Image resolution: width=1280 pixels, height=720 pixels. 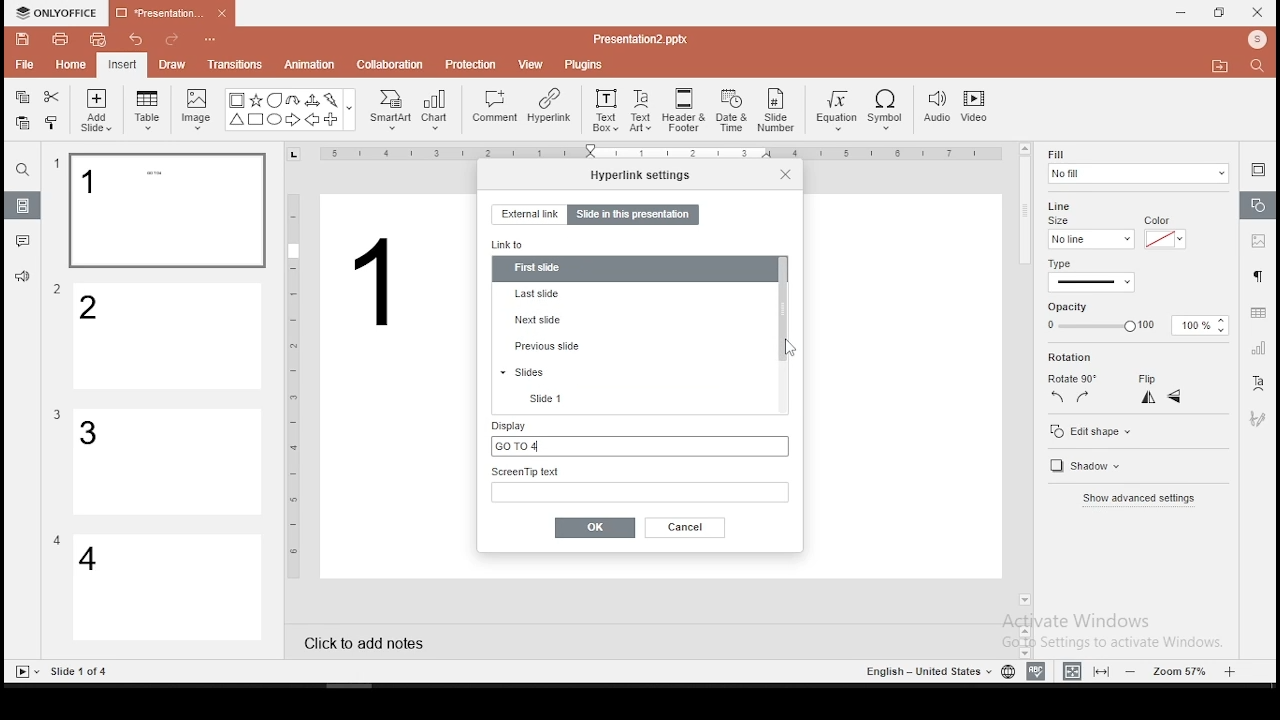 What do you see at coordinates (69, 64) in the screenshot?
I see `home` at bounding box center [69, 64].